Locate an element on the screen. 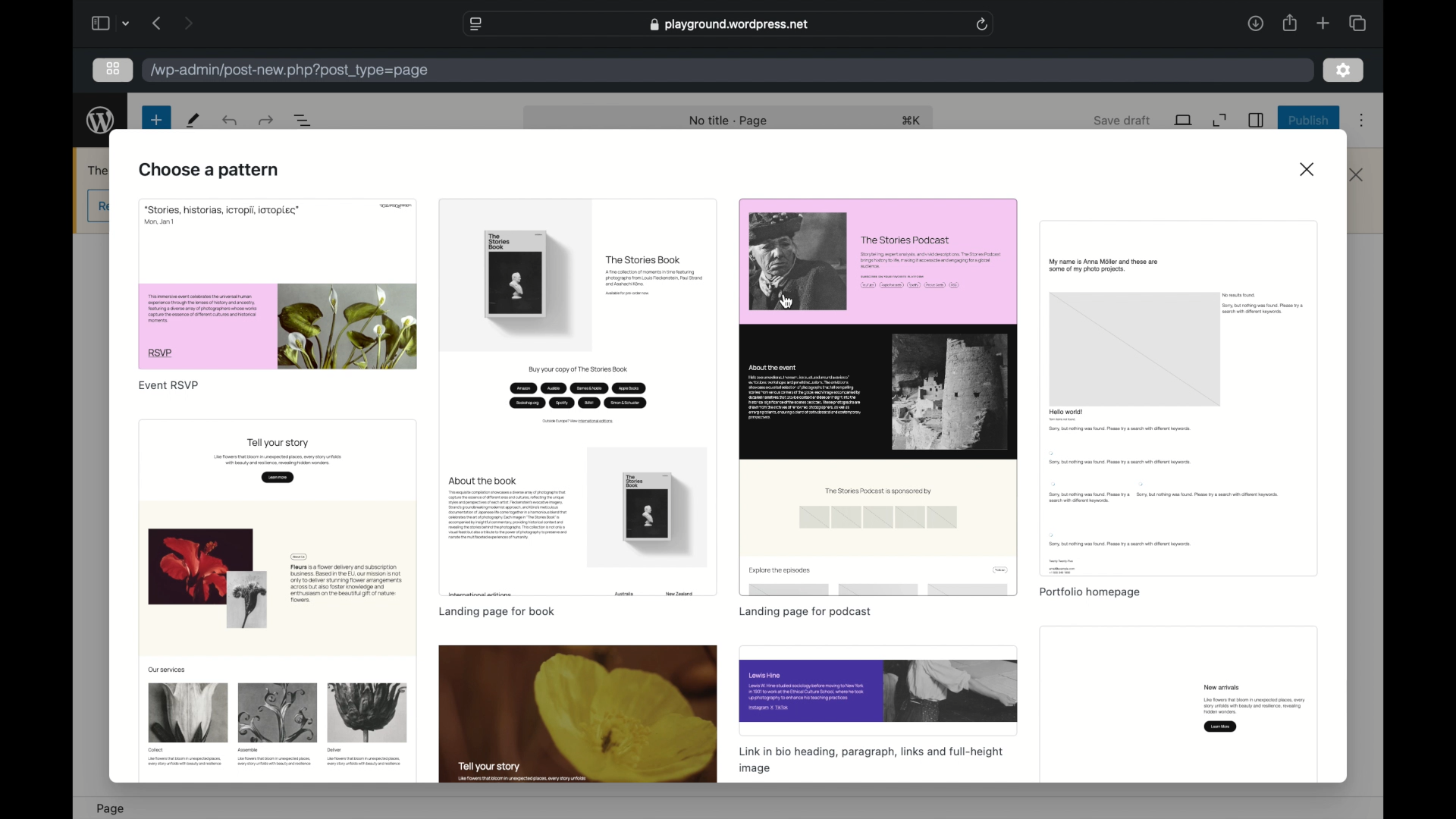 The width and height of the screenshot is (1456, 819). refresh is located at coordinates (983, 24).